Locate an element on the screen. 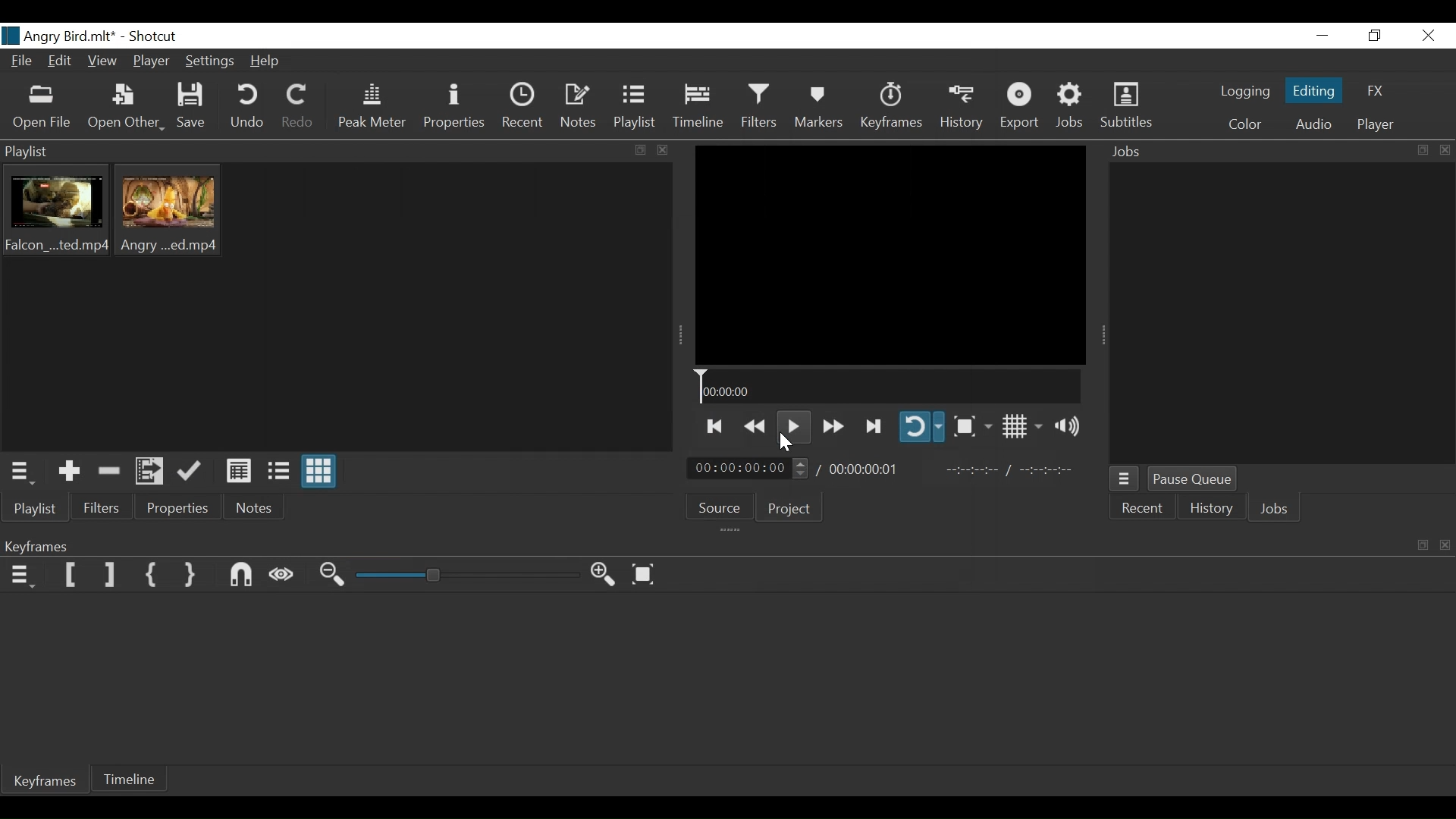  Jobs menu is located at coordinates (1125, 479).